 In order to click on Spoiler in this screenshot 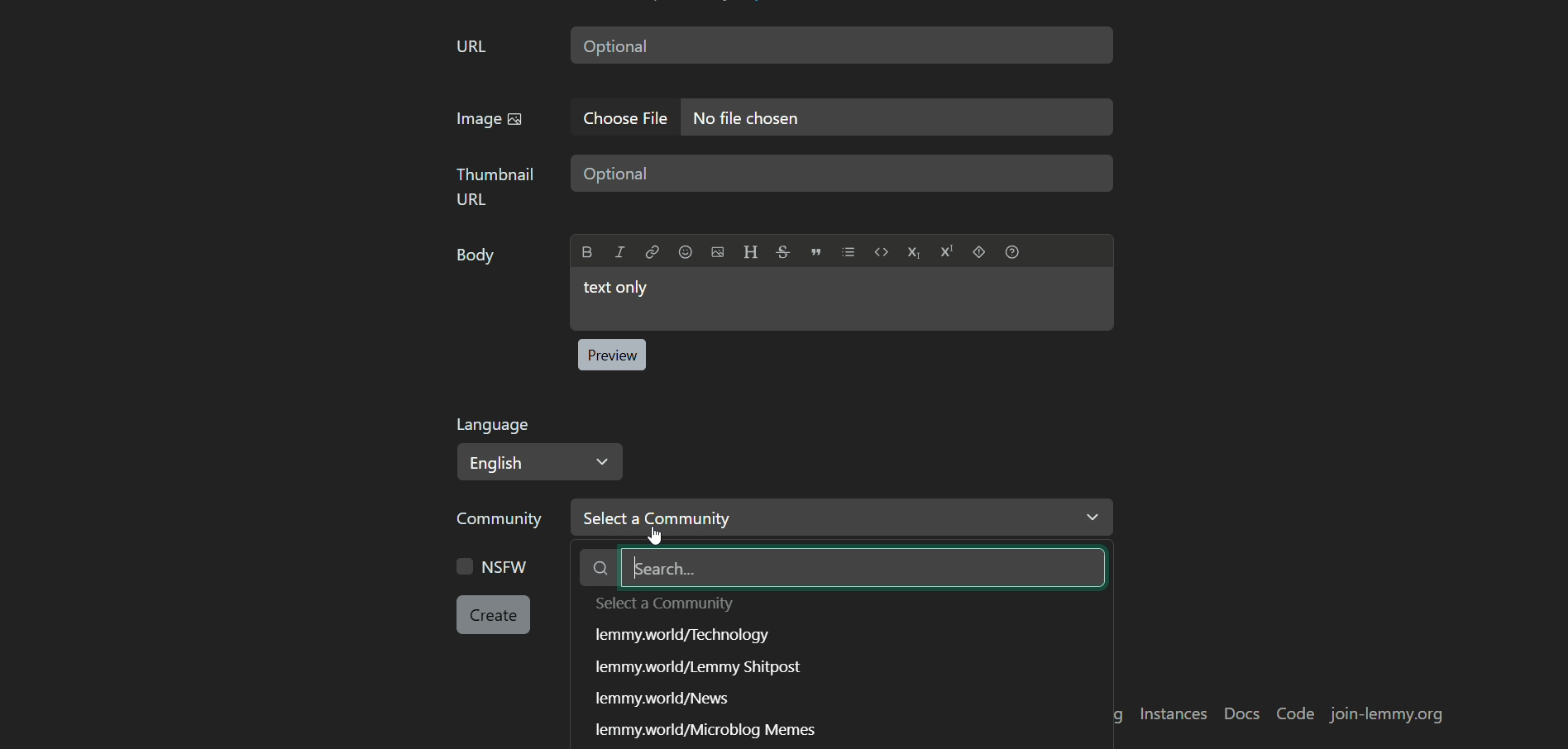, I will do `click(979, 251)`.